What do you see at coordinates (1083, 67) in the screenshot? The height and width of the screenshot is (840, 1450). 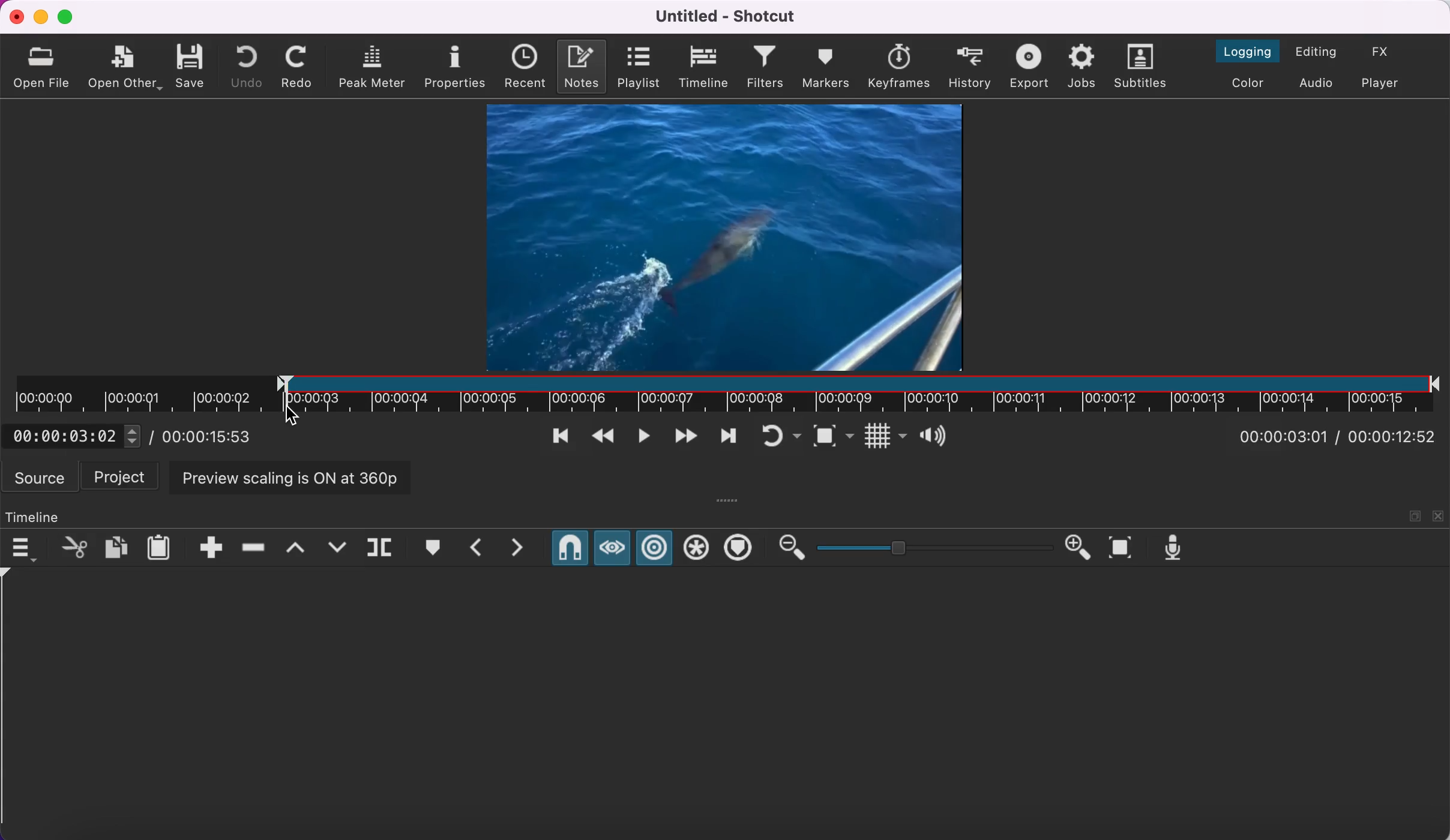 I see `jobs` at bounding box center [1083, 67].